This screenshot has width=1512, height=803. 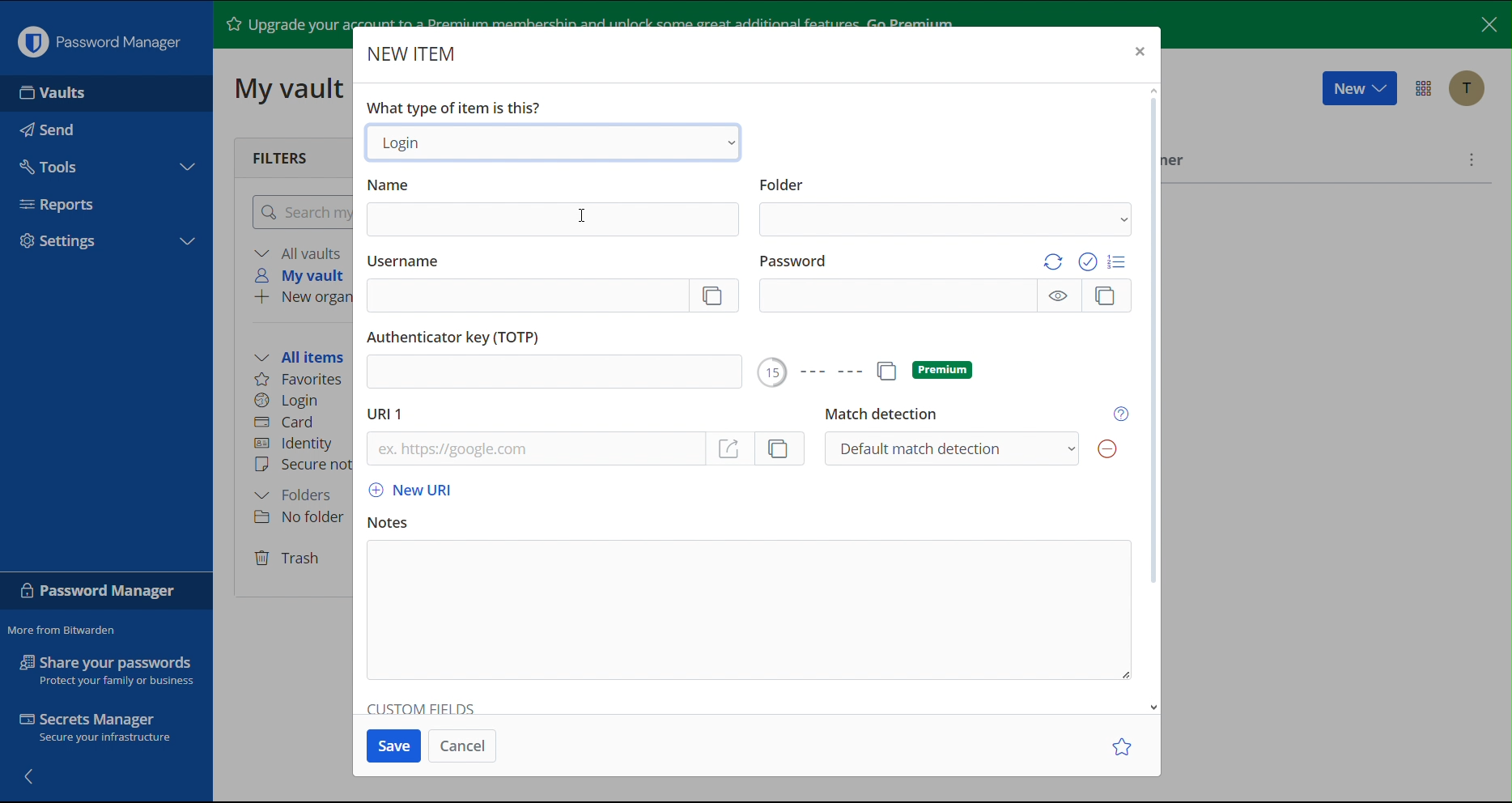 What do you see at coordinates (453, 108) in the screenshot?
I see `What type of item is this?` at bounding box center [453, 108].